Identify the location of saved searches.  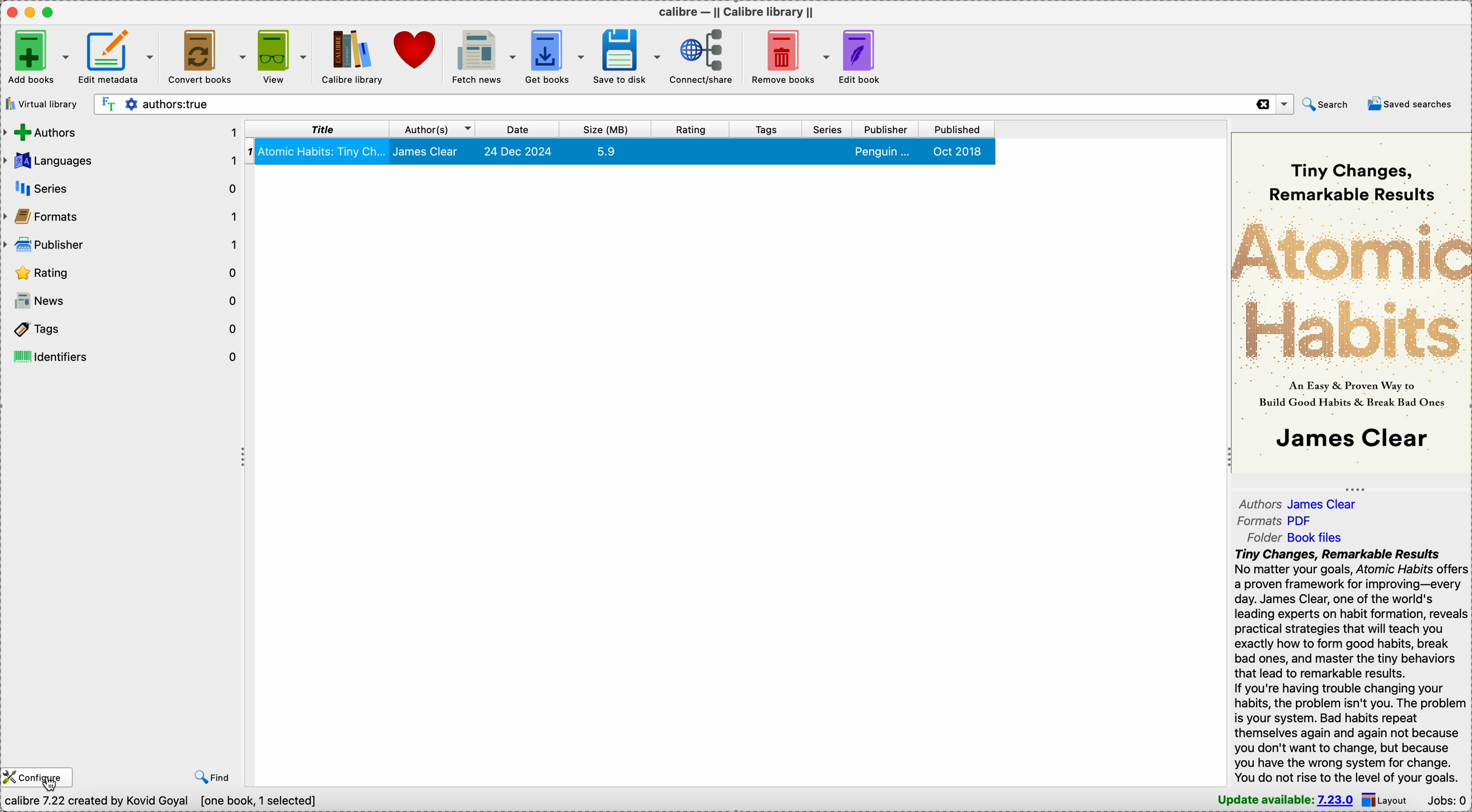
(1411, 103).